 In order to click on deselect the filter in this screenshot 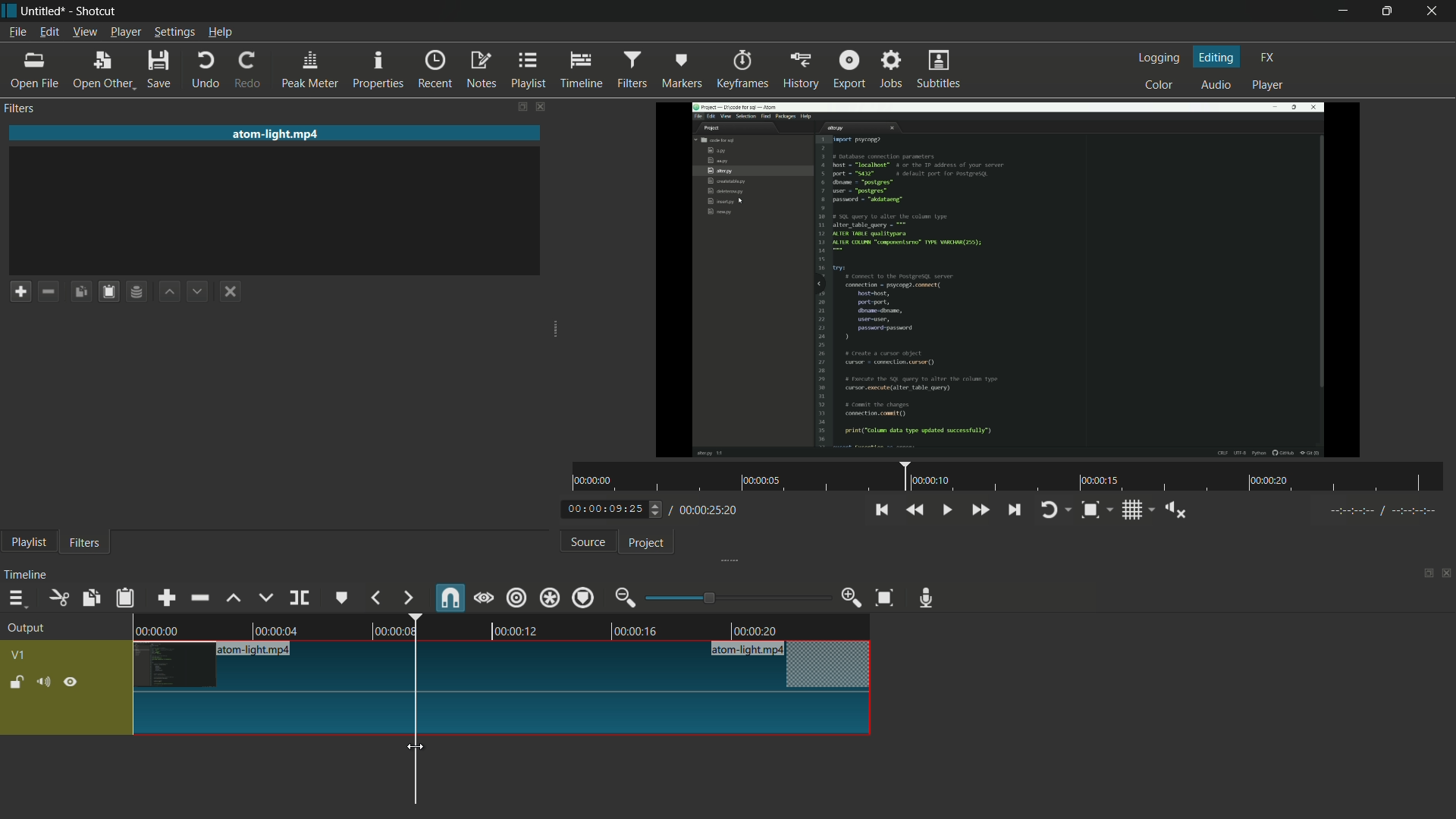, I will do `click(234, 292)`.